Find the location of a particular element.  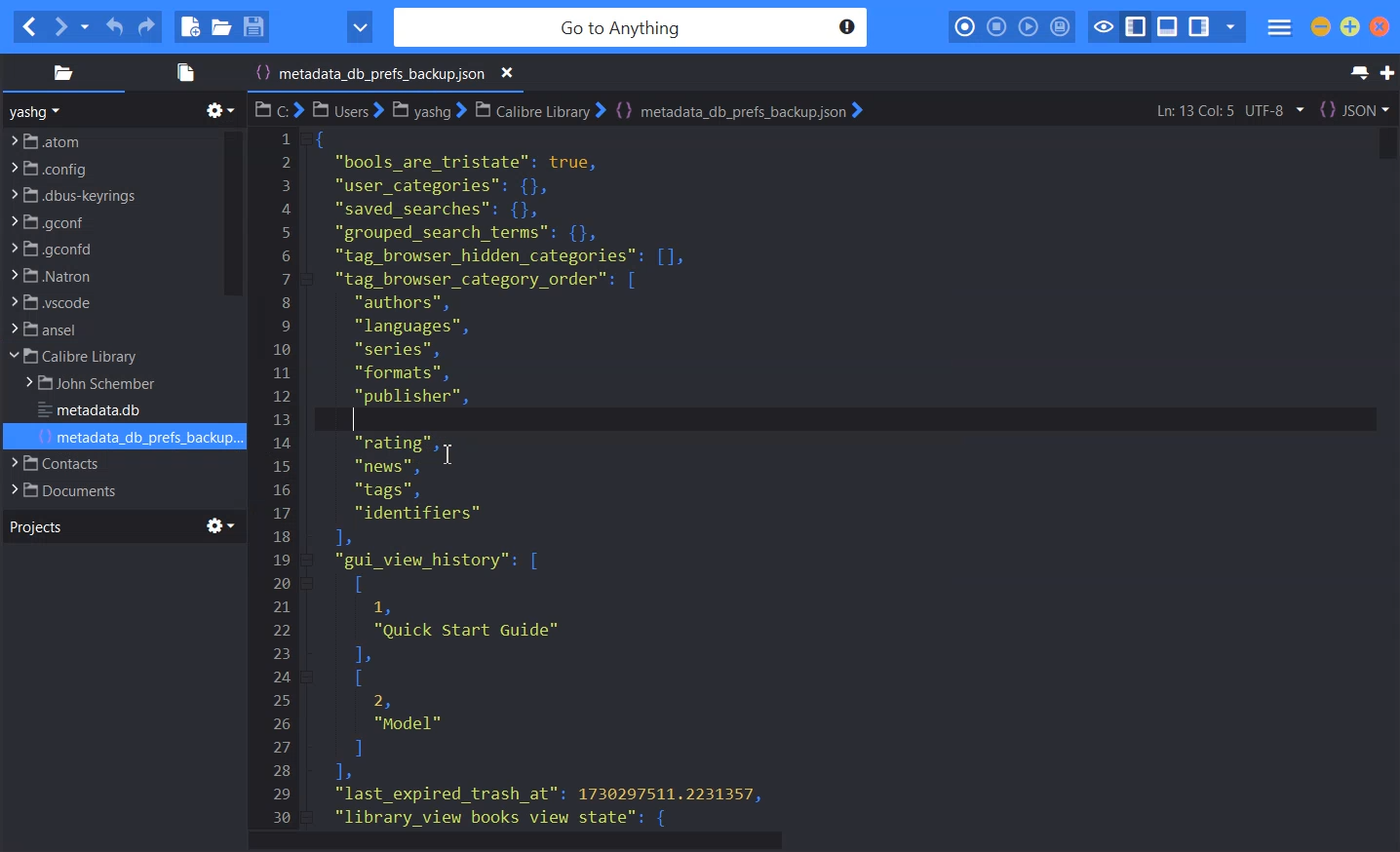

Go back one location is located at coordinates (28, 27).